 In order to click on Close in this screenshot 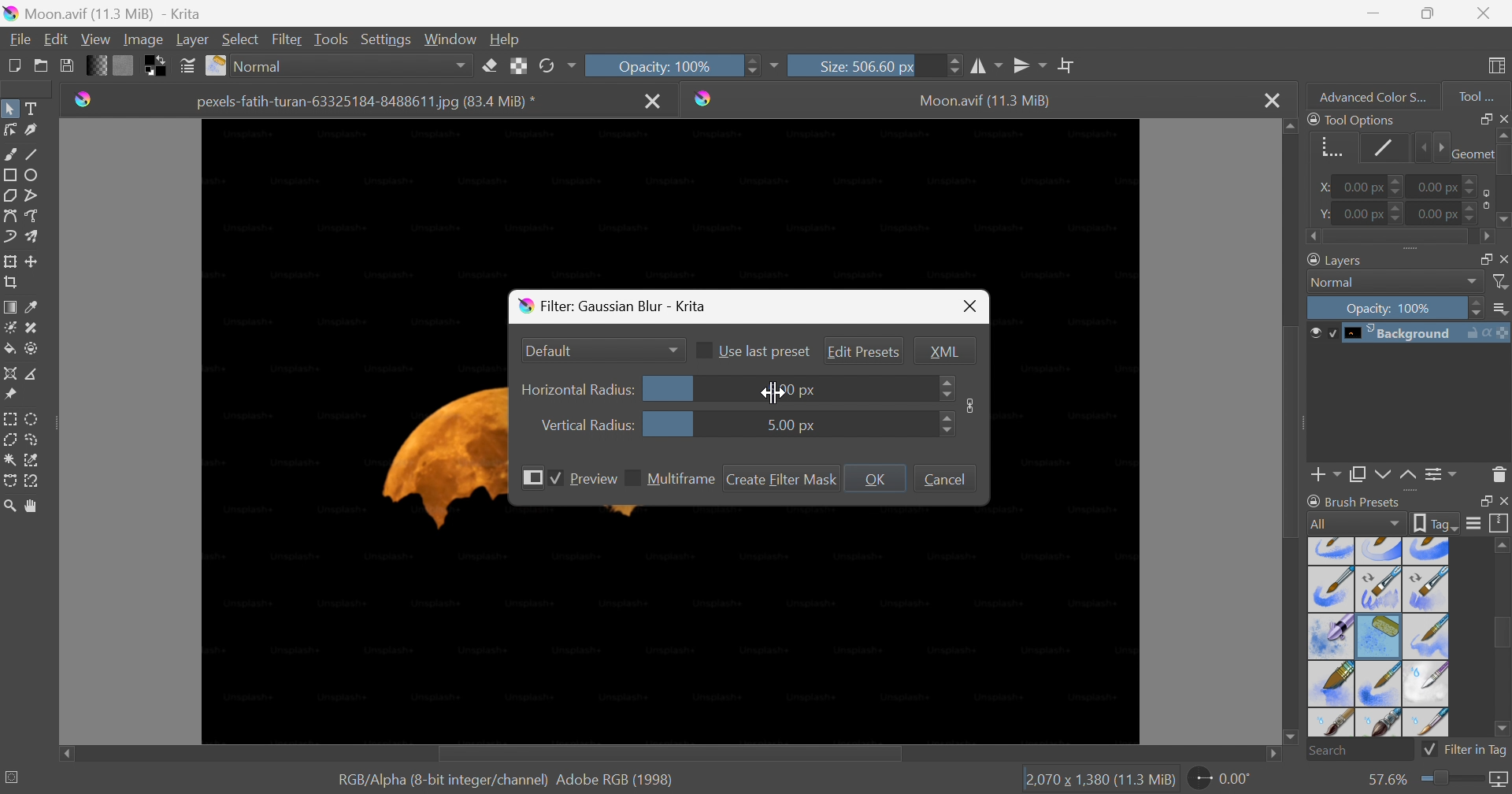, I will do `click(1503, 258)`.